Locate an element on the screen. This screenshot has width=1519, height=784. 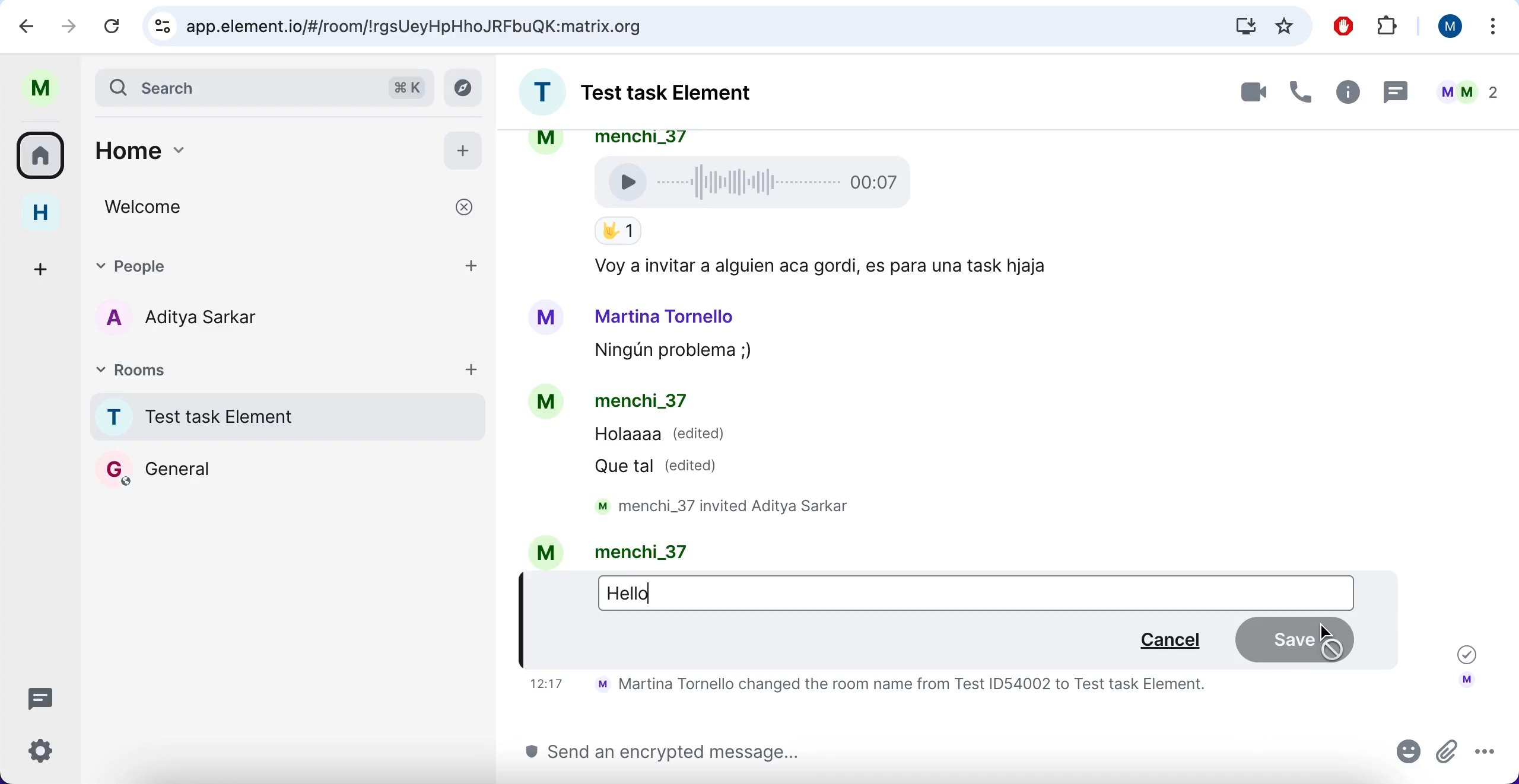
send message is located at coordinates (946, 757).